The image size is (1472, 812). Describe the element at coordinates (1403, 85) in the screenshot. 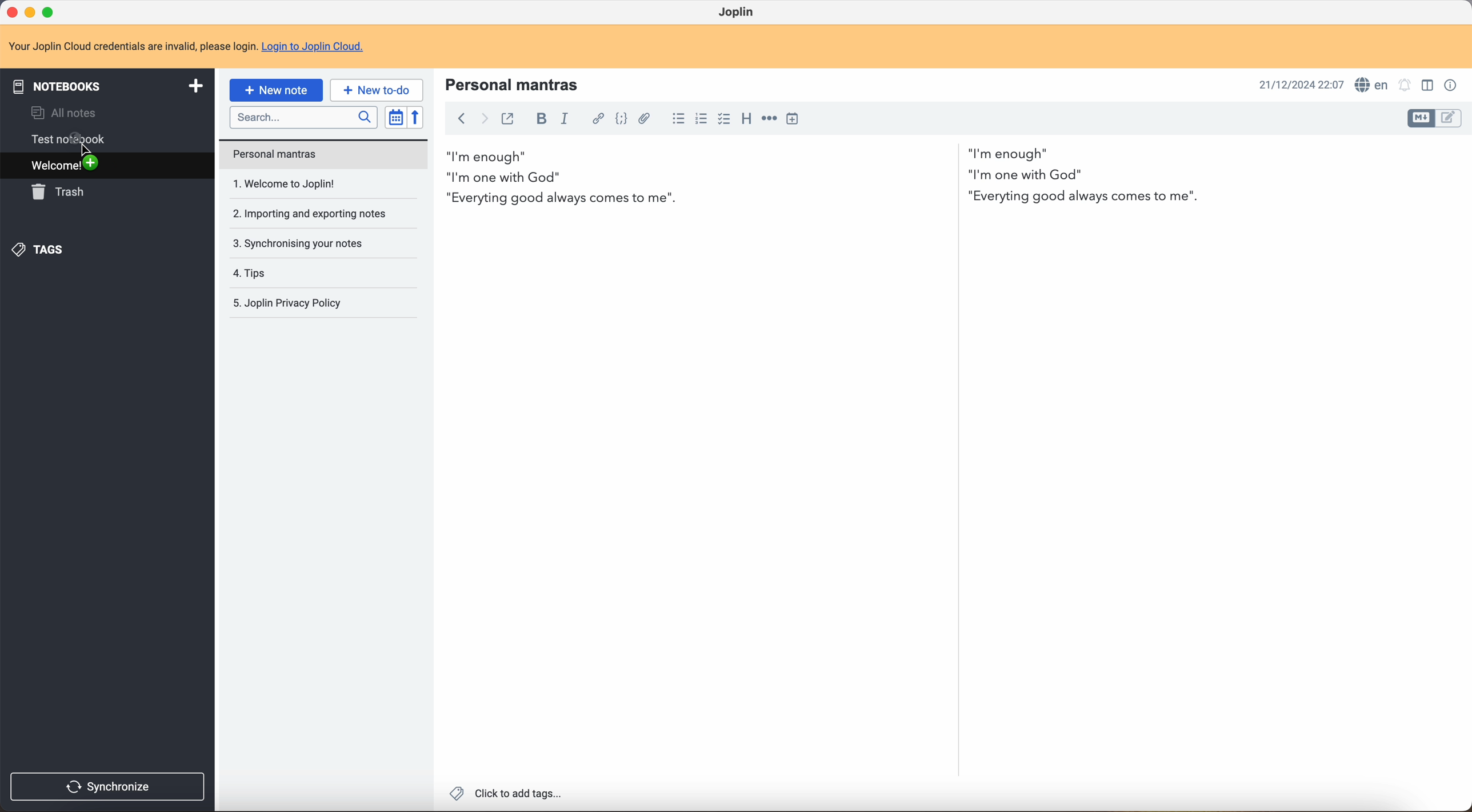

I see `set alarm` at that location.